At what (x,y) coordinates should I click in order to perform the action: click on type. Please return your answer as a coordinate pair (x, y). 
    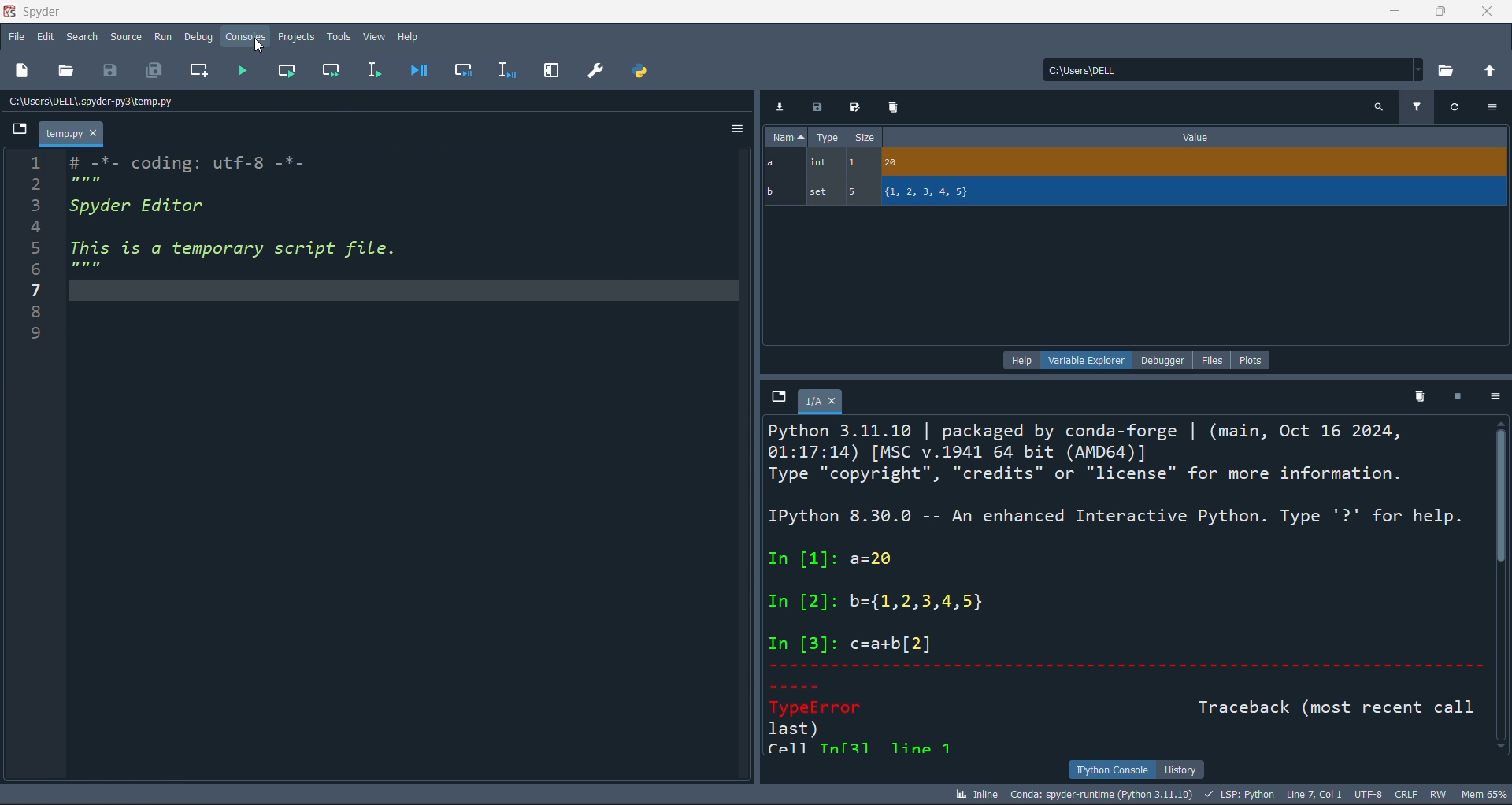
    Looking at the image, I should click on (830, 137).